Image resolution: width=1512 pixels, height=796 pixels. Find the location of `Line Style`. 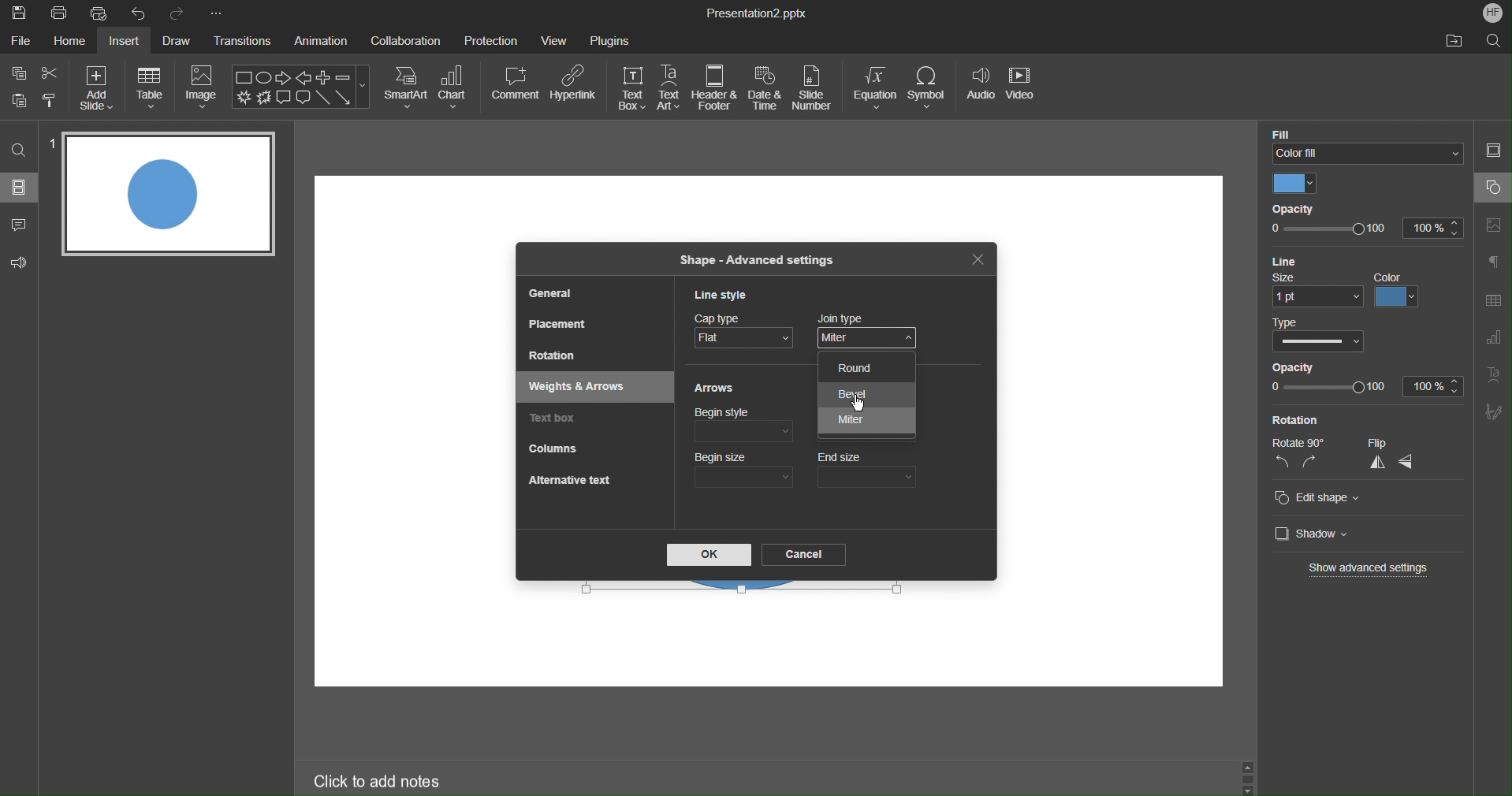

Line Style is located at coordinates (726, 296).